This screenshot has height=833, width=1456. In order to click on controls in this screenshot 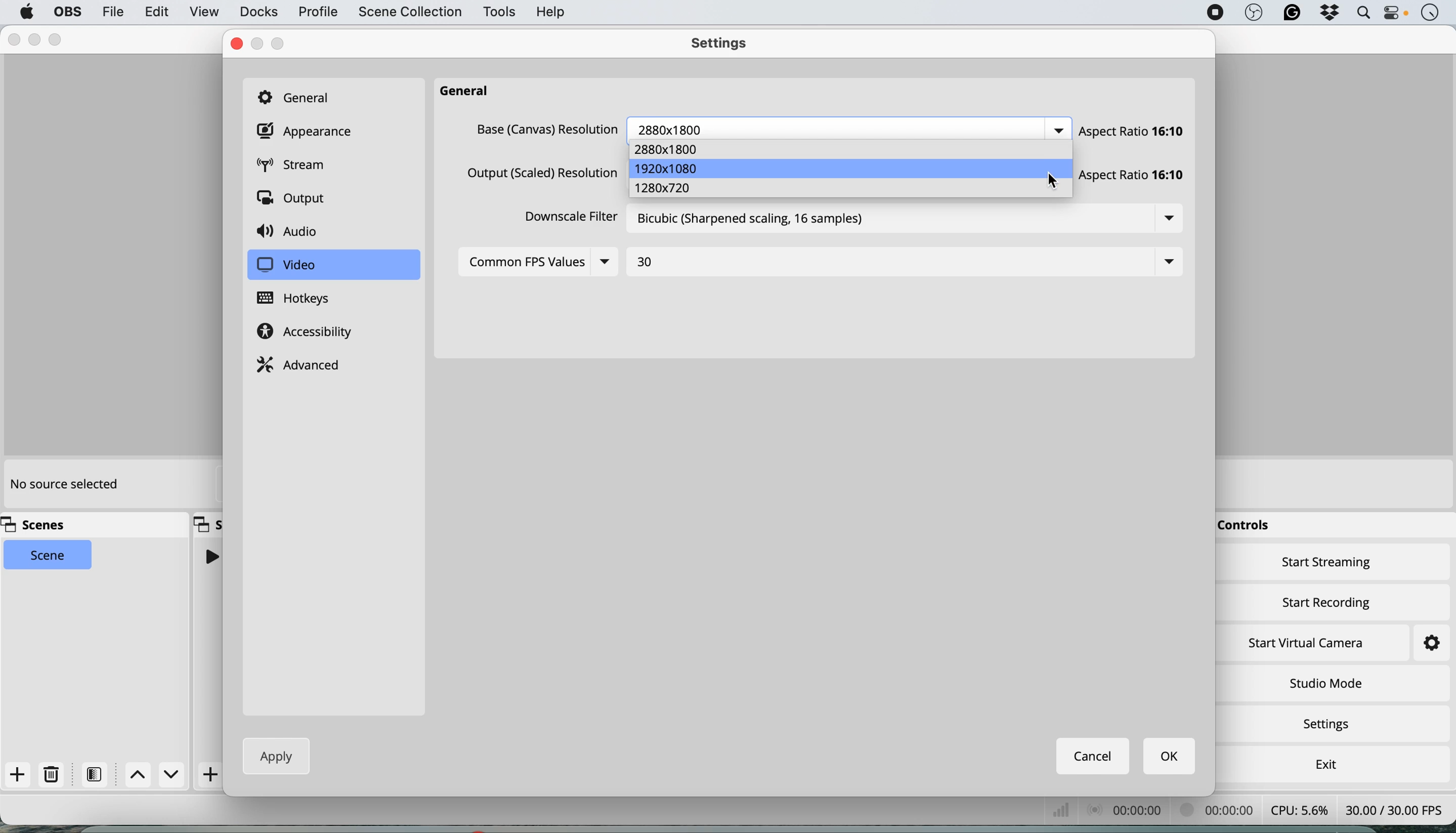, I will do `click(1248, 526)`.